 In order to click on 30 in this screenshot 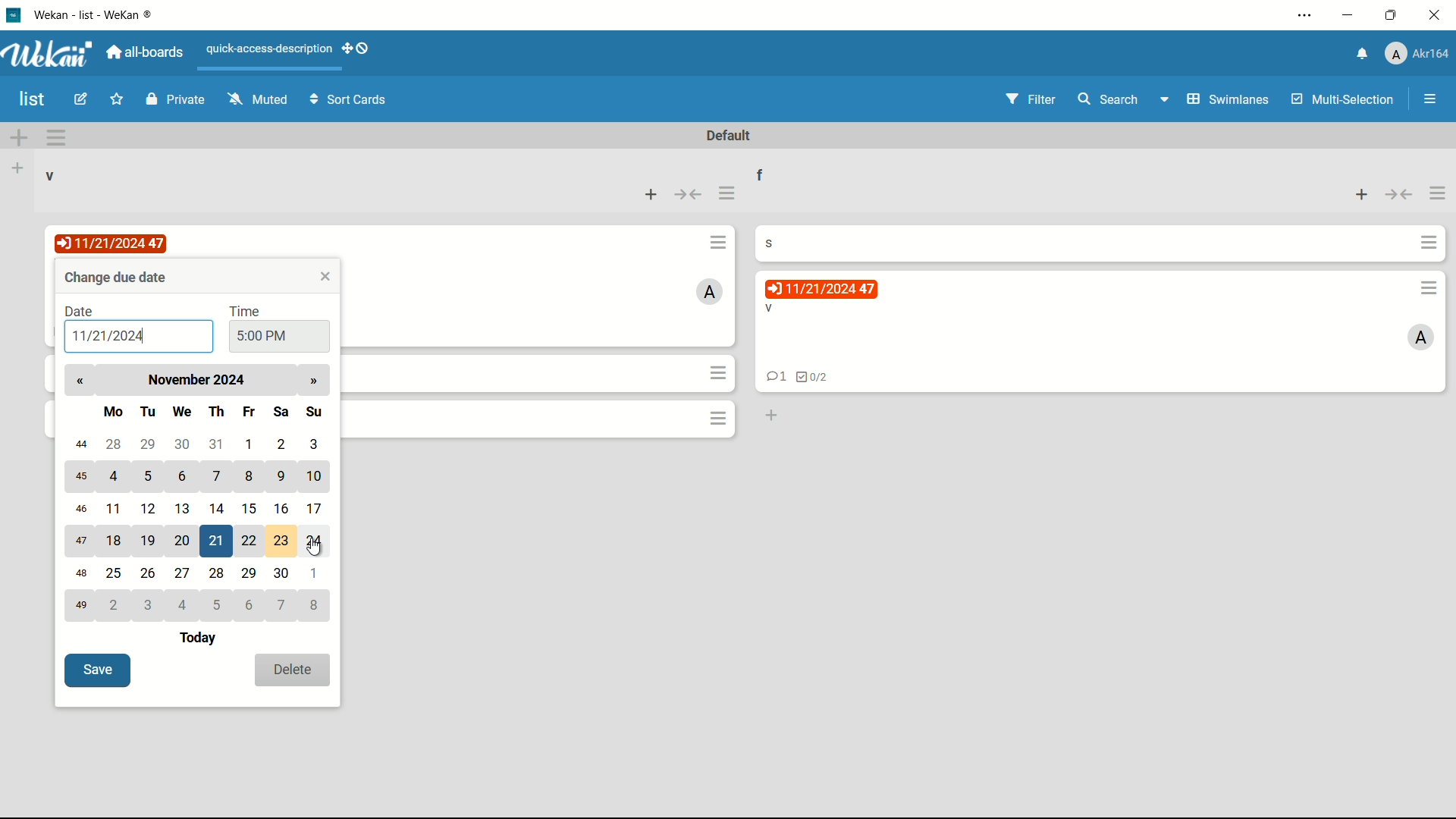, I will do `click(282, 574)`.